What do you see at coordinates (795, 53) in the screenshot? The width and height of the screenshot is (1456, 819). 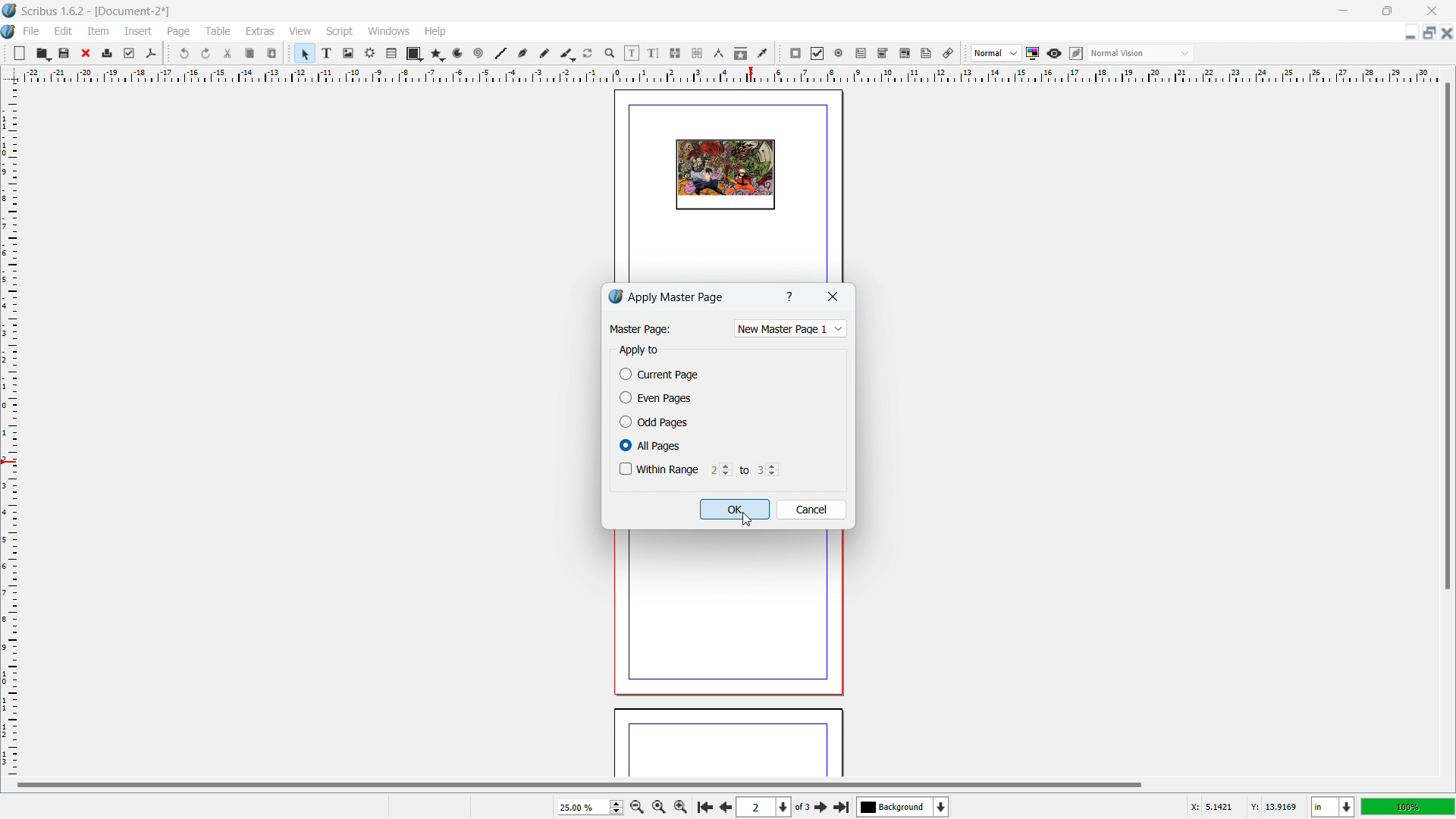 I see `pdf push button` at bounding box center [795, 53].